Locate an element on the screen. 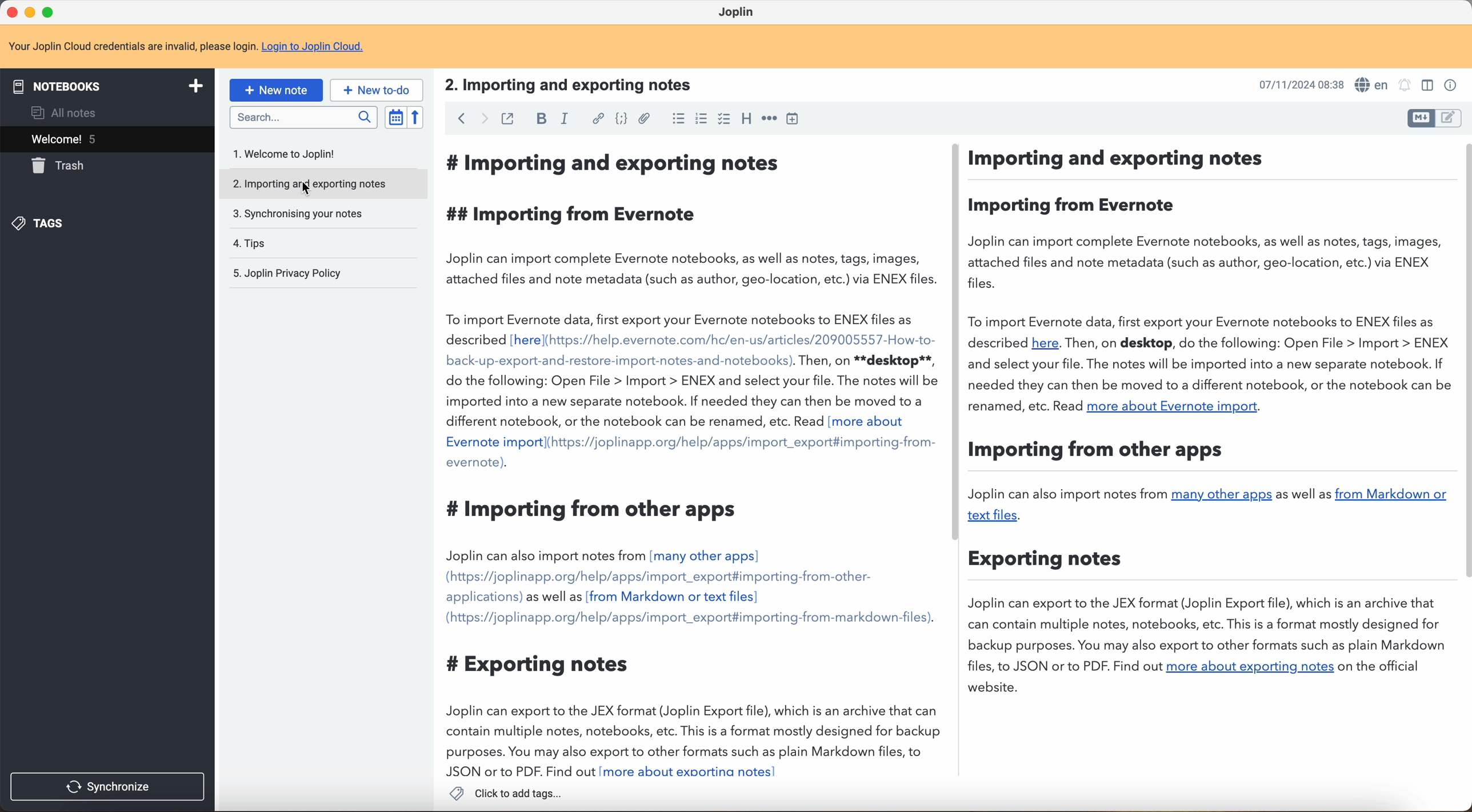 The image size is (1472, 812). welcome to Joplin note is located at coordinates (290, 154).